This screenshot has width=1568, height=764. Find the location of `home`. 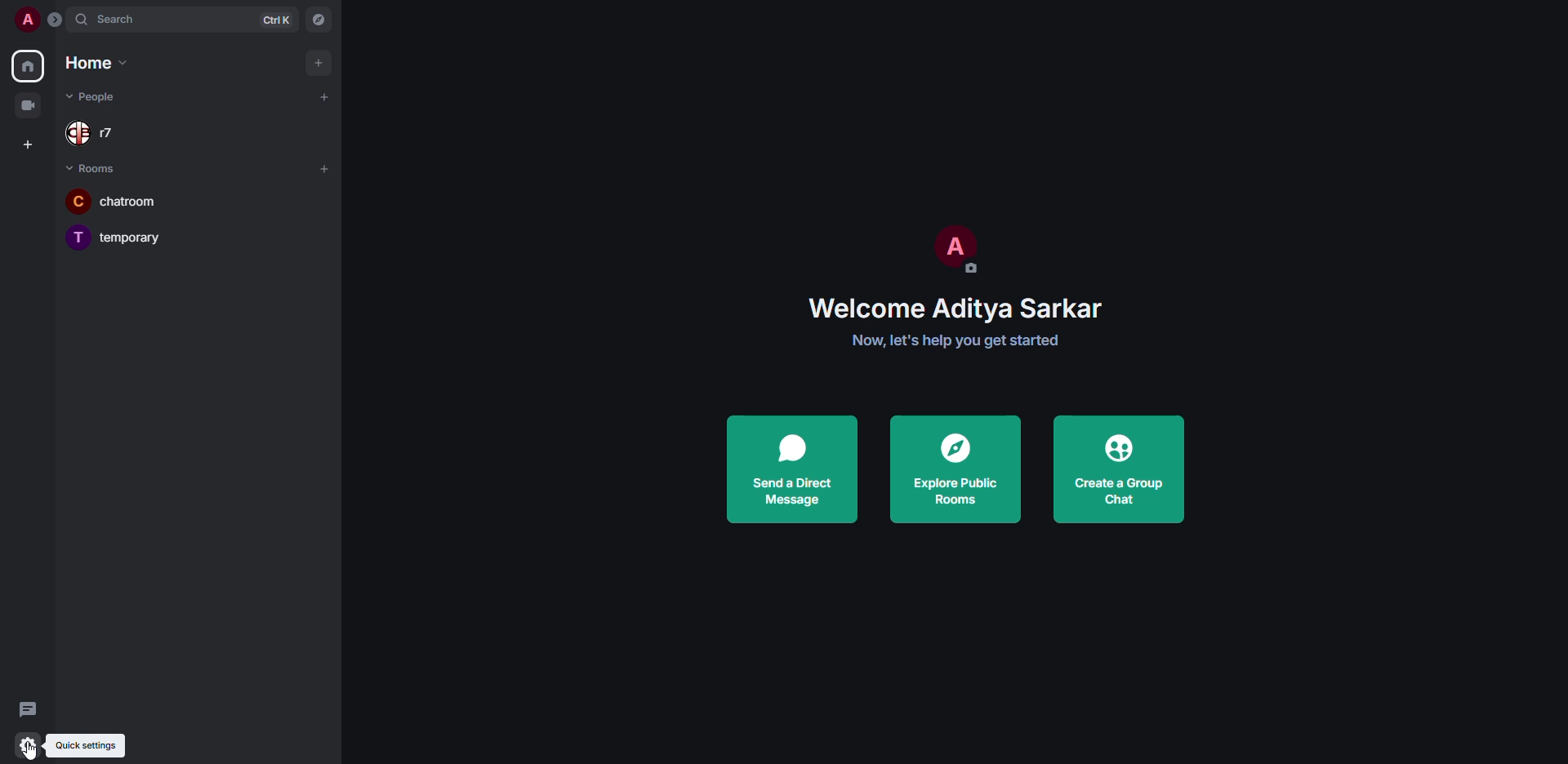

home is located at coordinates (29, 64).